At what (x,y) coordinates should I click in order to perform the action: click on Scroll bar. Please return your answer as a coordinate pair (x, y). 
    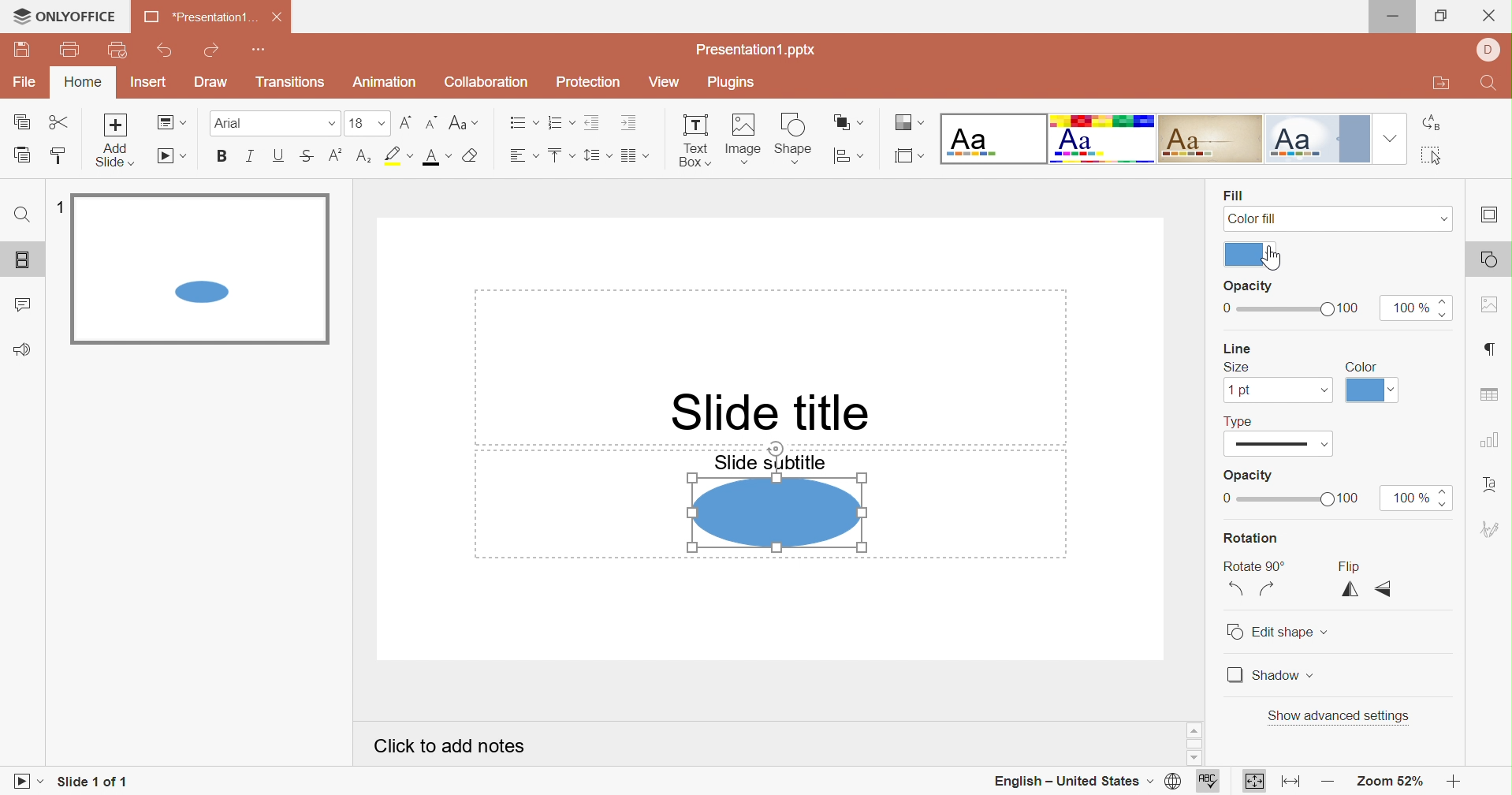
    Looking at the image, I should click on (1199, 745).